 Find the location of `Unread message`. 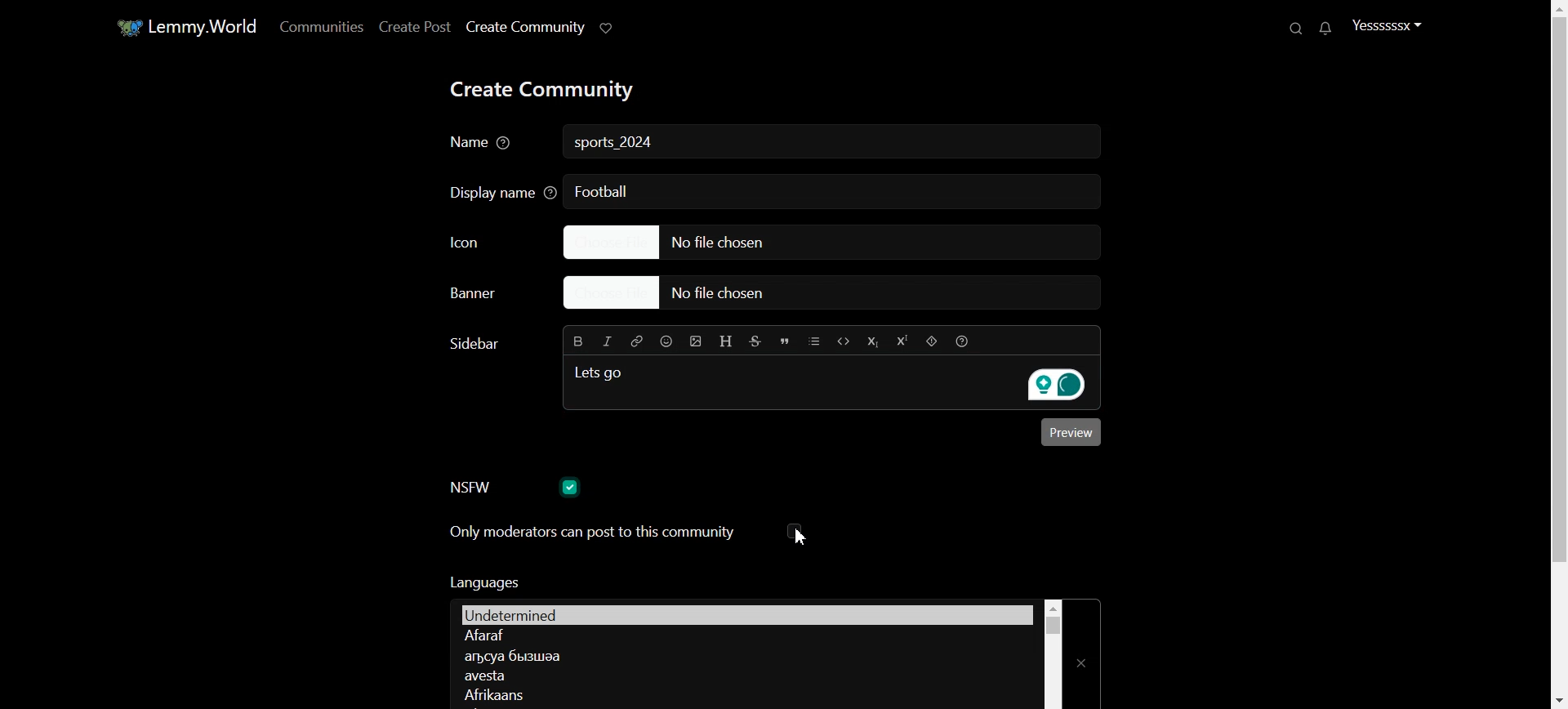

Unread message is located at coordinates (1324, 29).